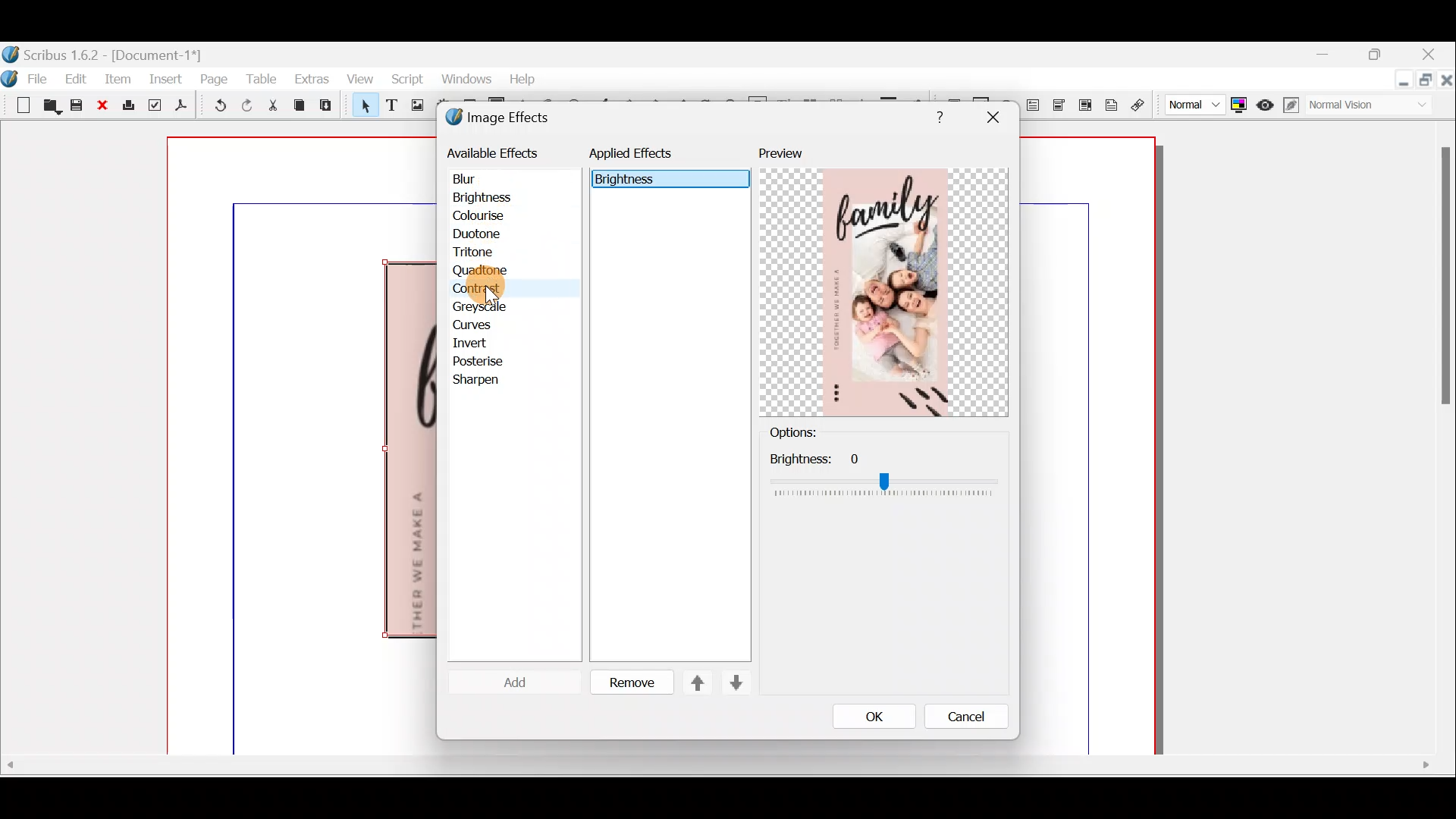 The width and height of the screenshot is (1456, 819). I want to click on maximise, so click(1379, 57).